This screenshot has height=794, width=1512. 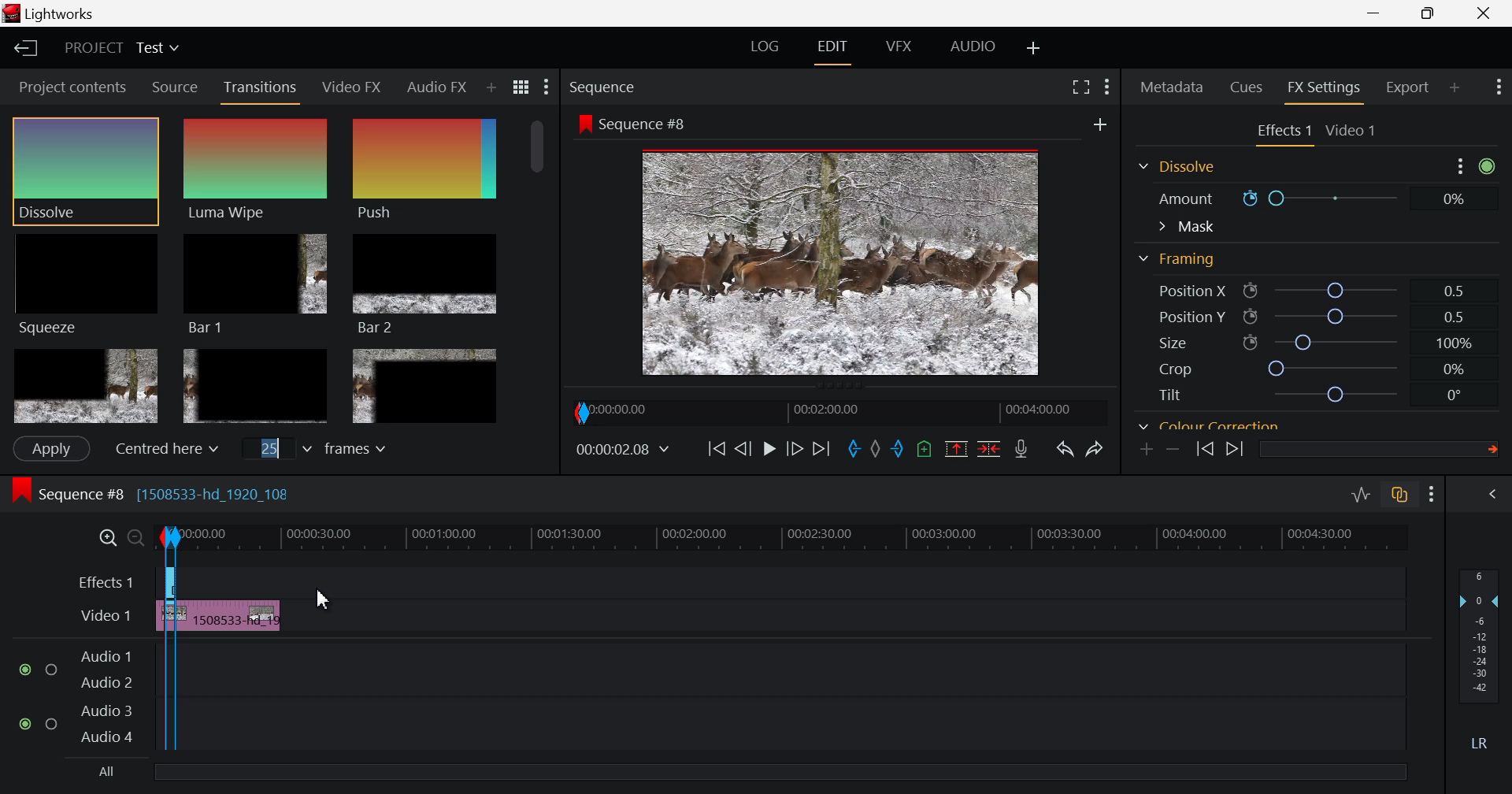 I want to click on Centered here, so click(x=162, y=449).